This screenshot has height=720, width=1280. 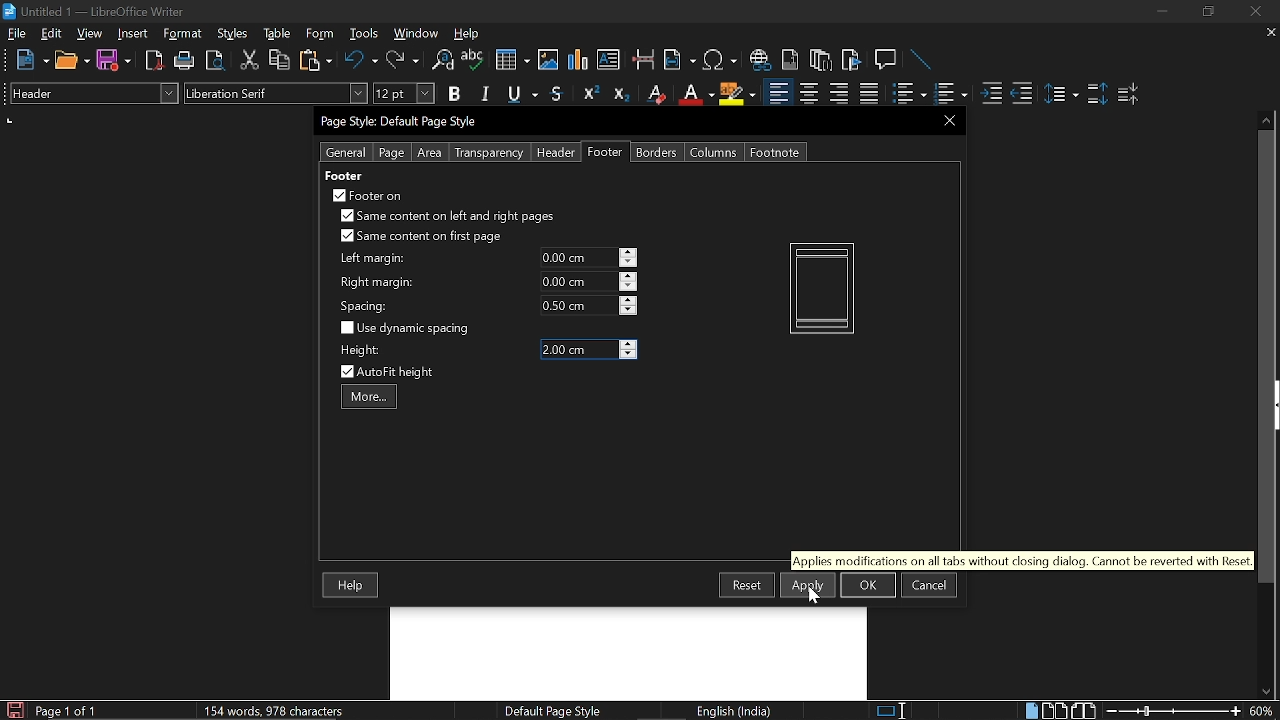 What do you see at coordinates (486, 94) in the screenshot?
I see `Italic` at bounding box center [486, 94].